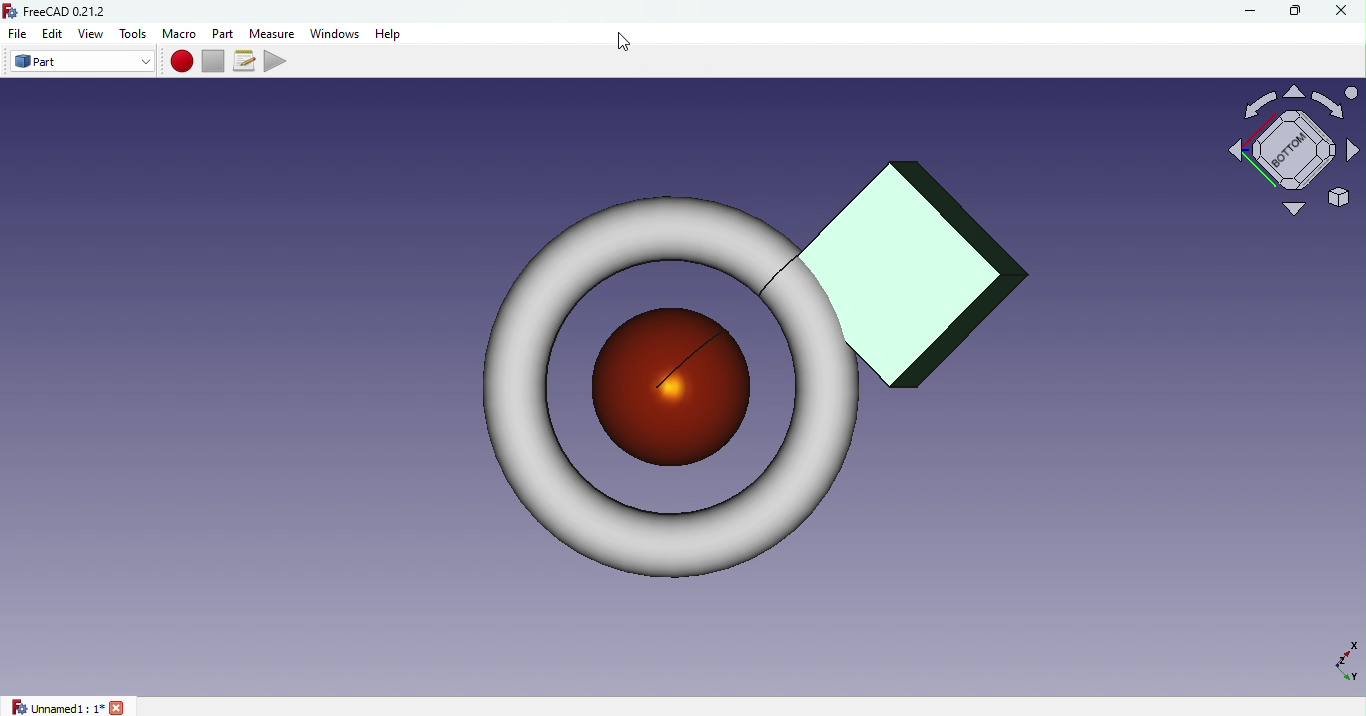 The width and height of the screenshot is (1366, 716). Describe the element at coordinates (276, 61) in the screenshot. I see `Execute macro` at that location.